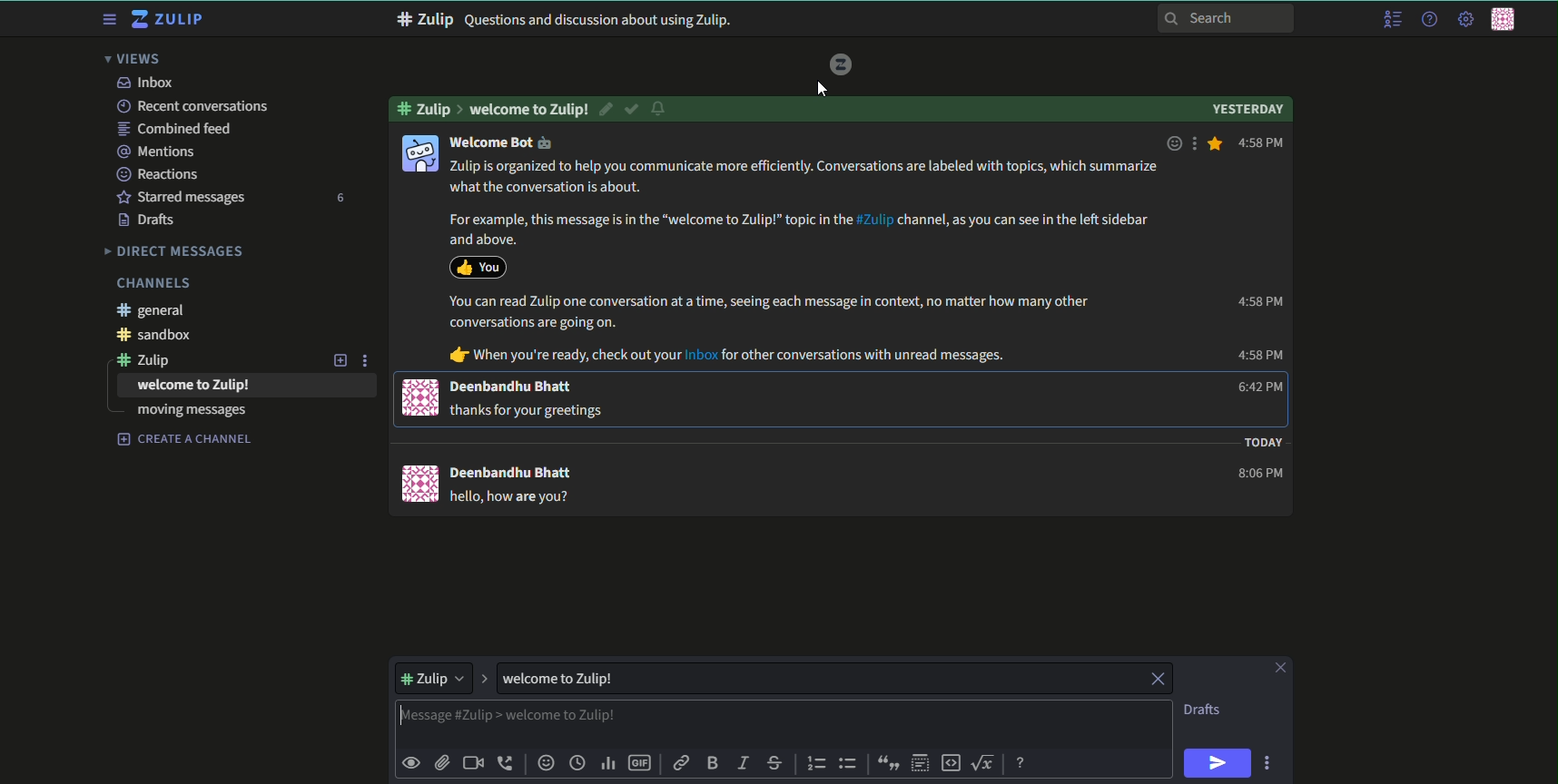 The height and width of the screenshot is (784, 1558). Describe the element at coordinates (419, 398) in the screenshot. I see `icon` at that location.